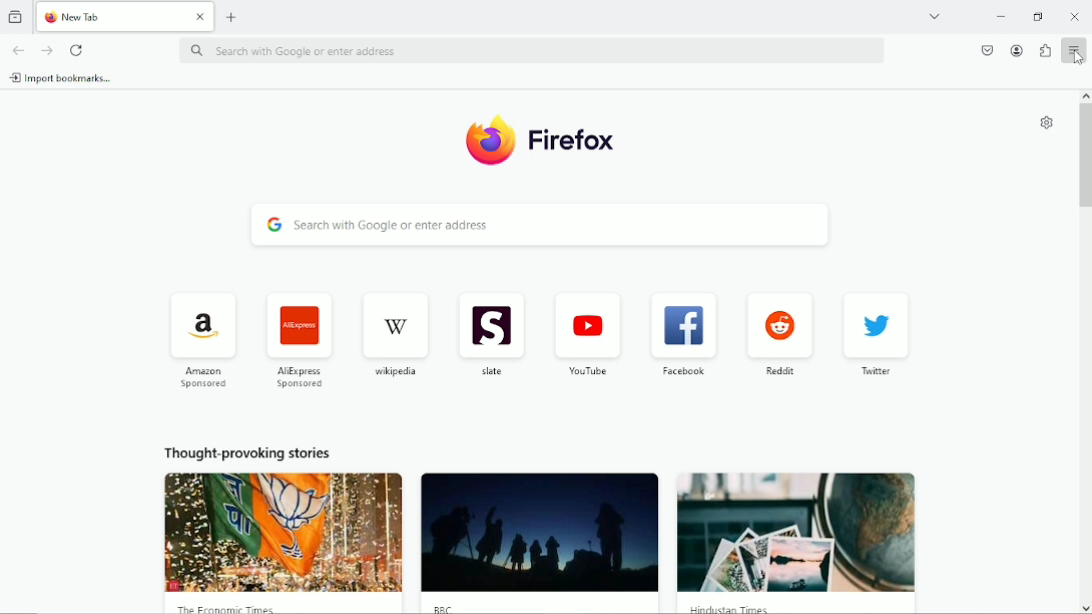  What do you see at coordinates (543, 224) in the screenshot?
I see `search bar` at bounding box center [543, 224].